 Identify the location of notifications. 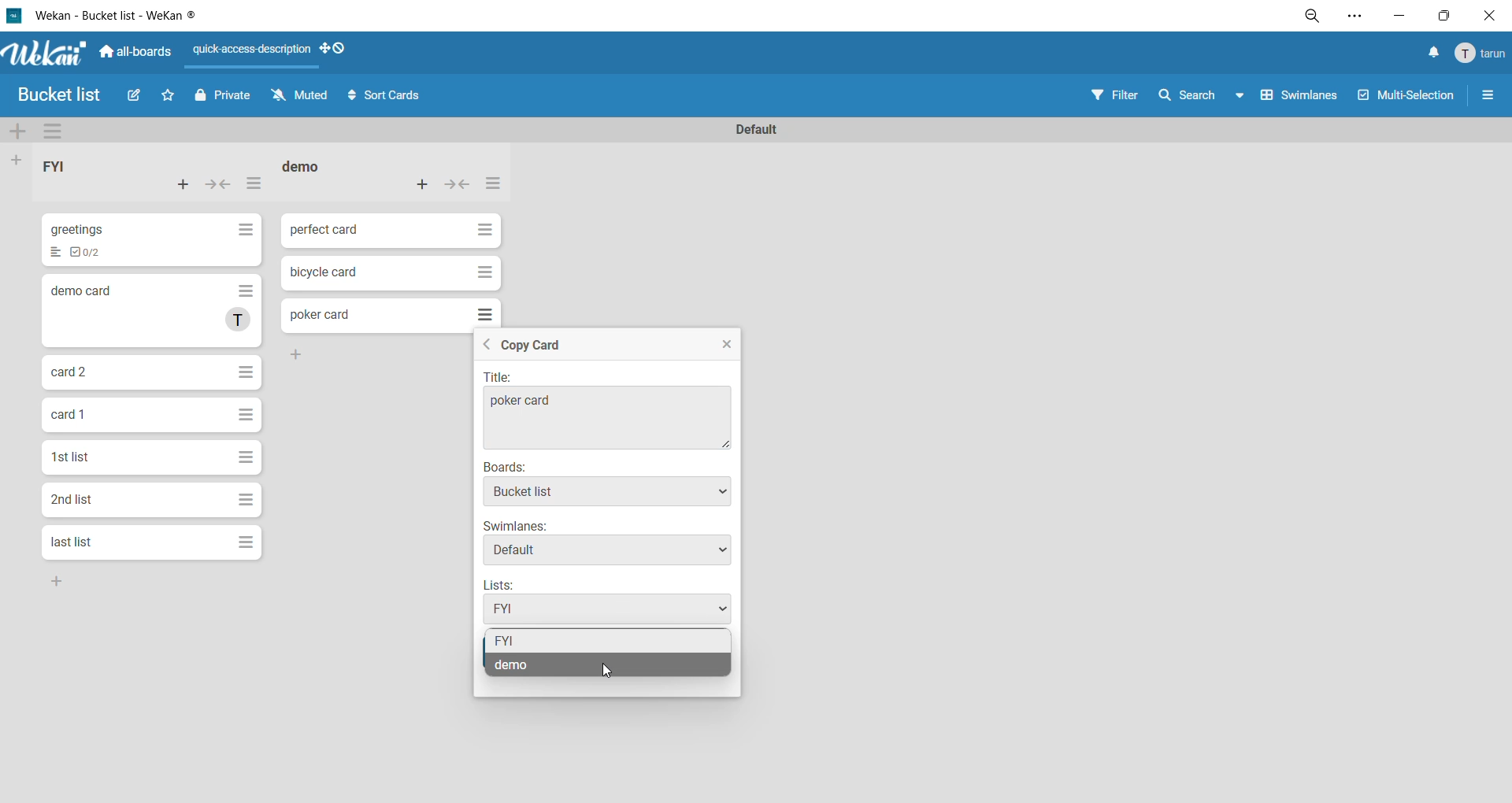
(1429, 54).